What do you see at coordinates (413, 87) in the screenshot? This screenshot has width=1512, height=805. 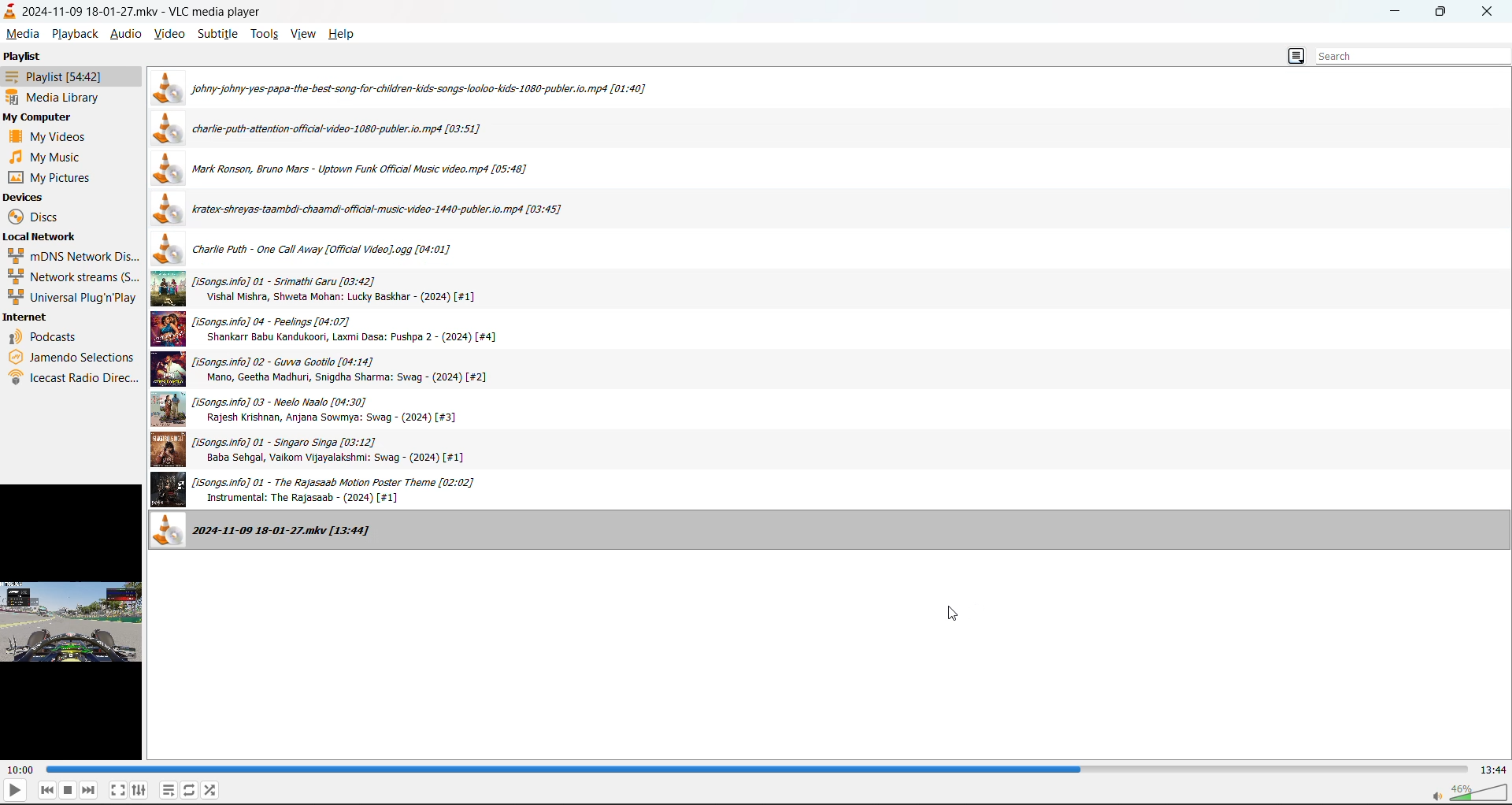 I see `tracks without duration` at bounding box center [413, 87].